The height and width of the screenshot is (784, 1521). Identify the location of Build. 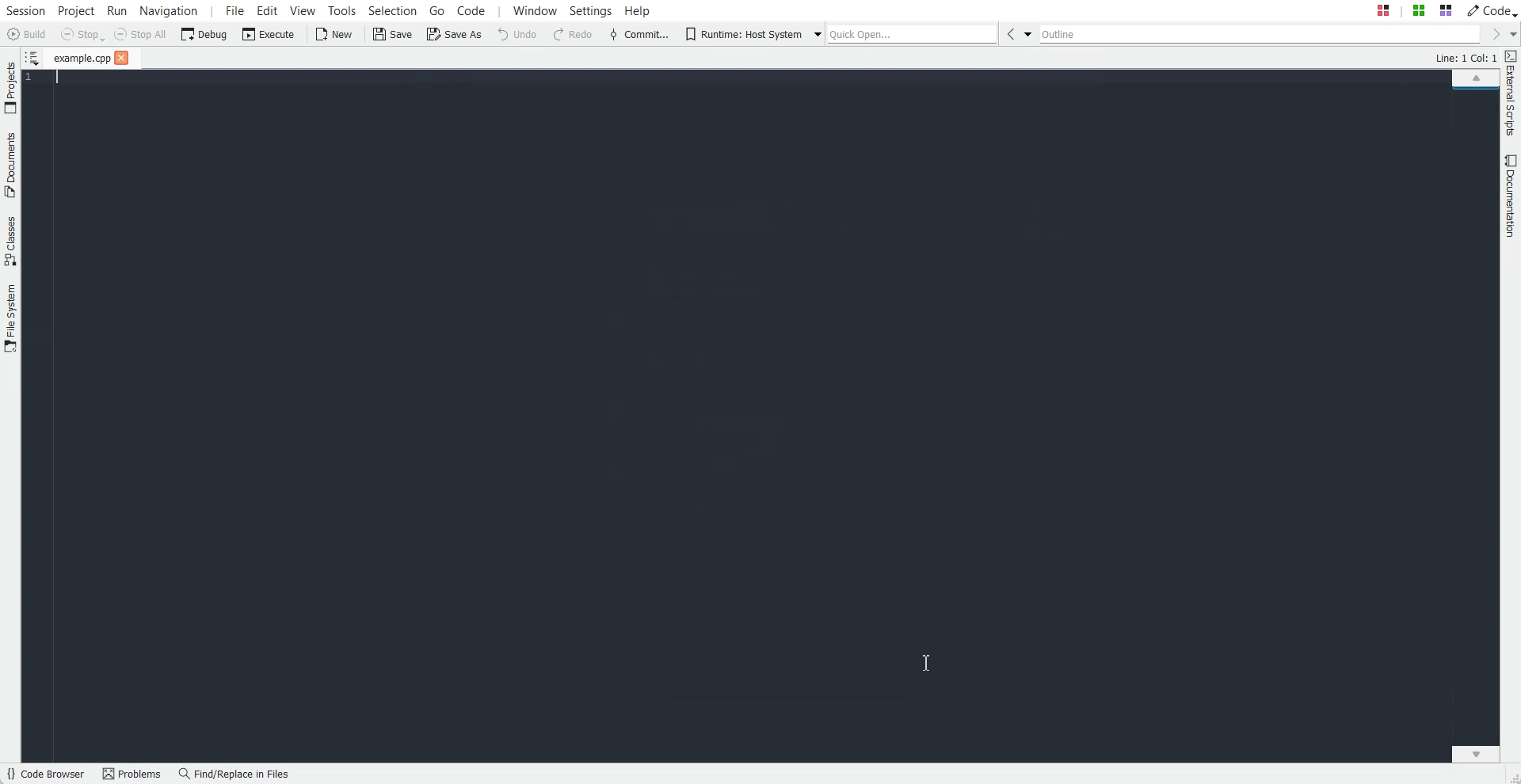
(25, 34).